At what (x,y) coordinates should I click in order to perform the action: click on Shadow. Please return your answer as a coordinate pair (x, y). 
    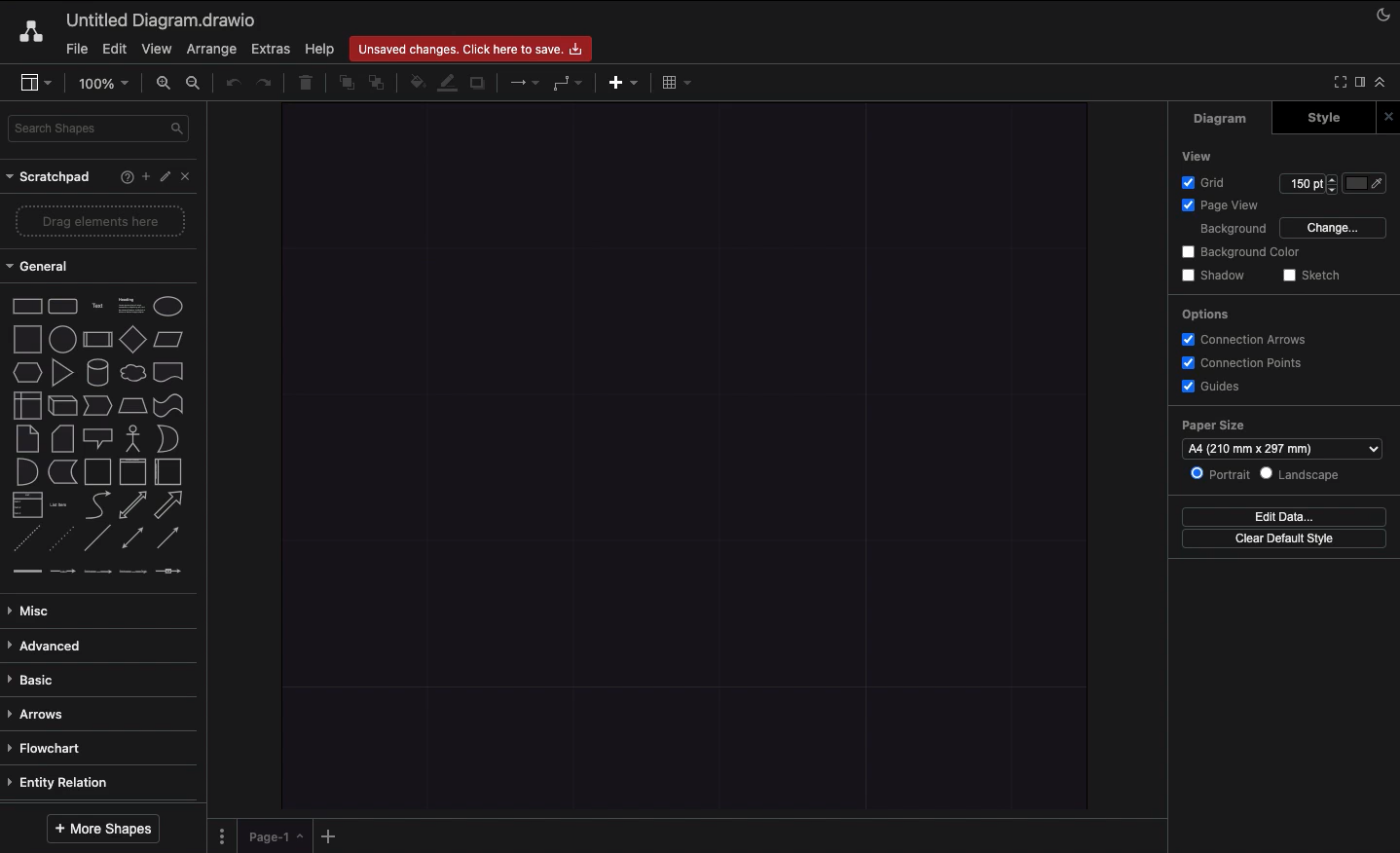
    Looking at the image, I should click on (1212, 275).